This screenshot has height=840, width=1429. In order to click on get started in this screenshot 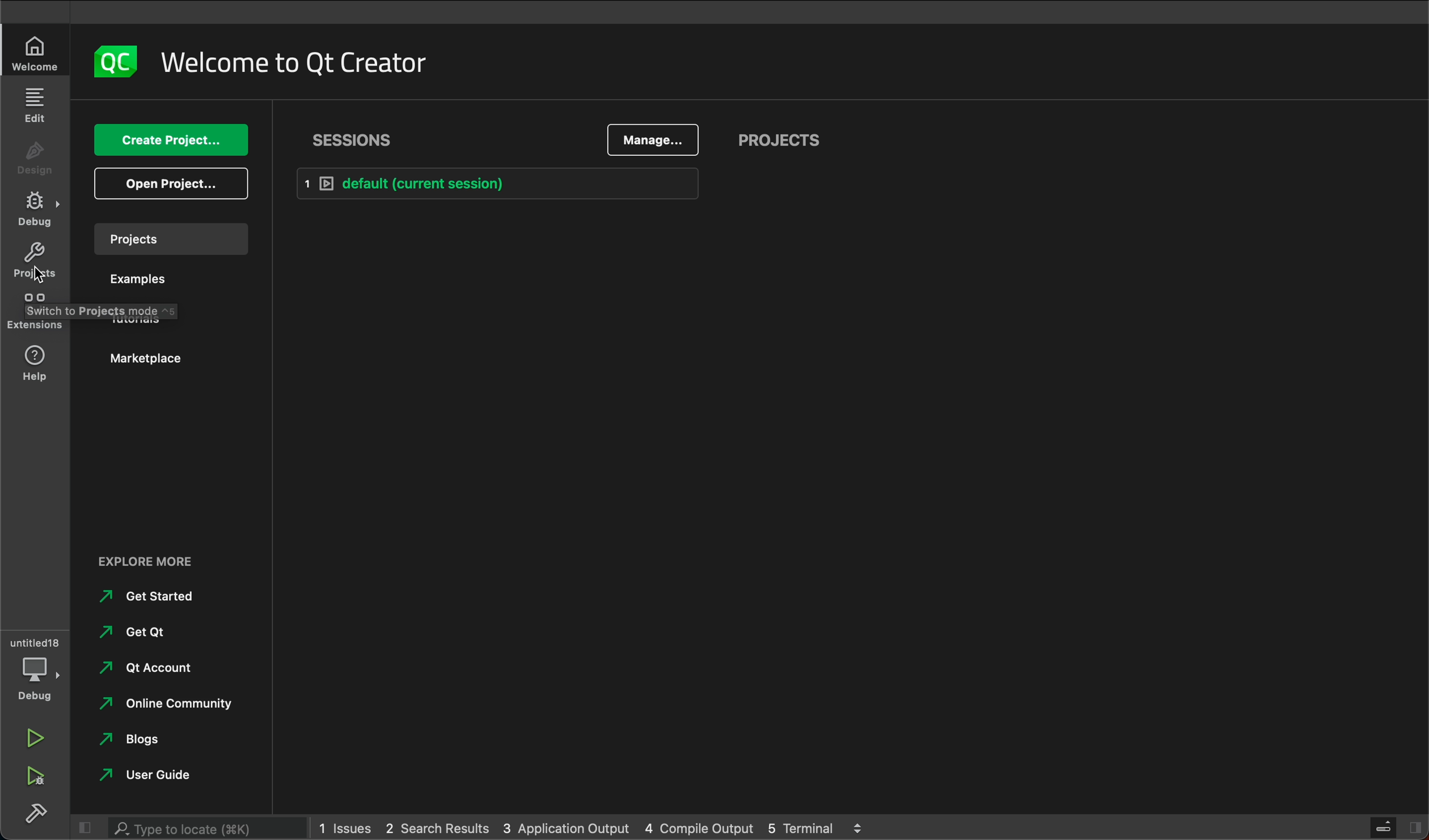, I will do `click(146, 595)`.